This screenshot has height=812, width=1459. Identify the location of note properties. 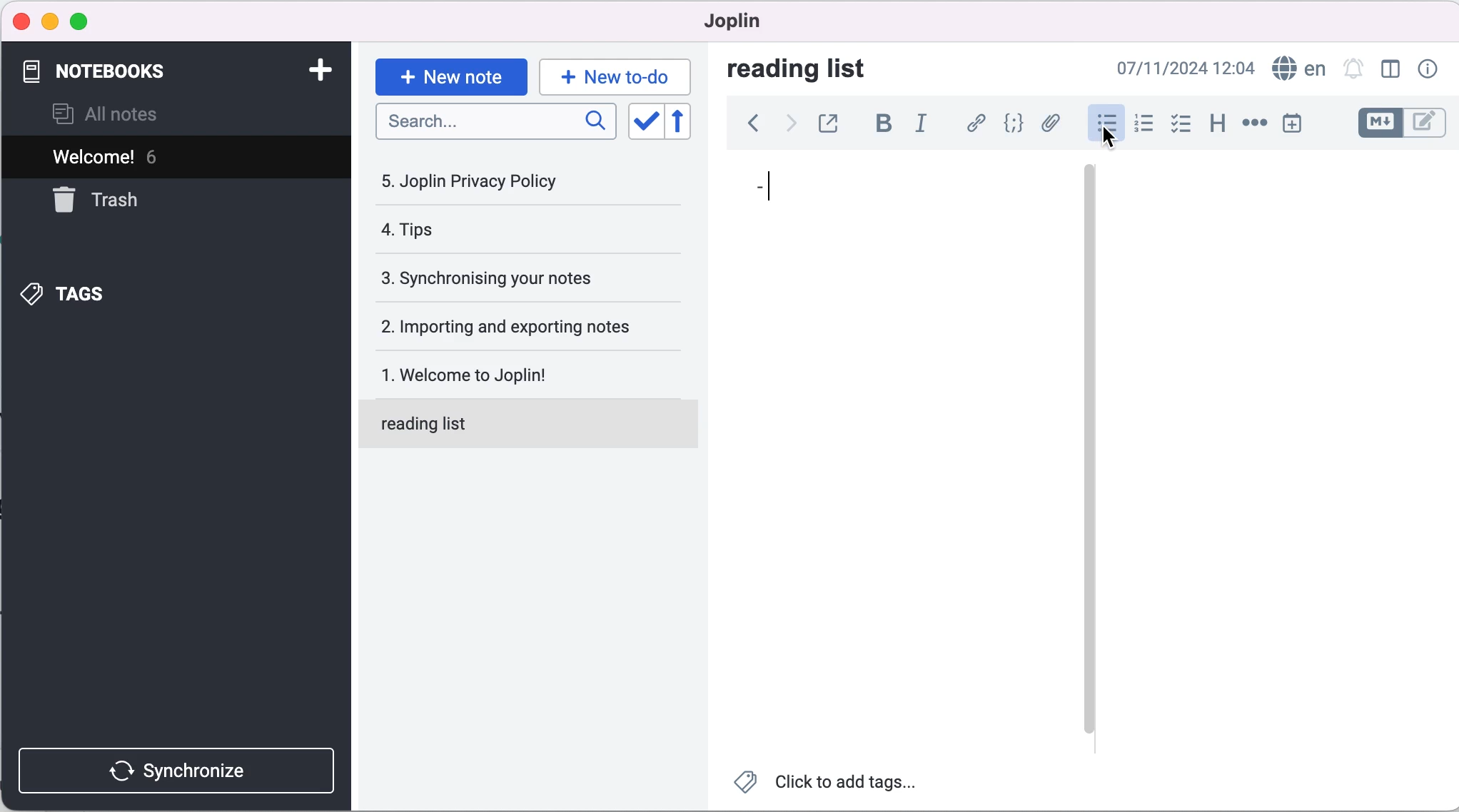
(1432, 68).